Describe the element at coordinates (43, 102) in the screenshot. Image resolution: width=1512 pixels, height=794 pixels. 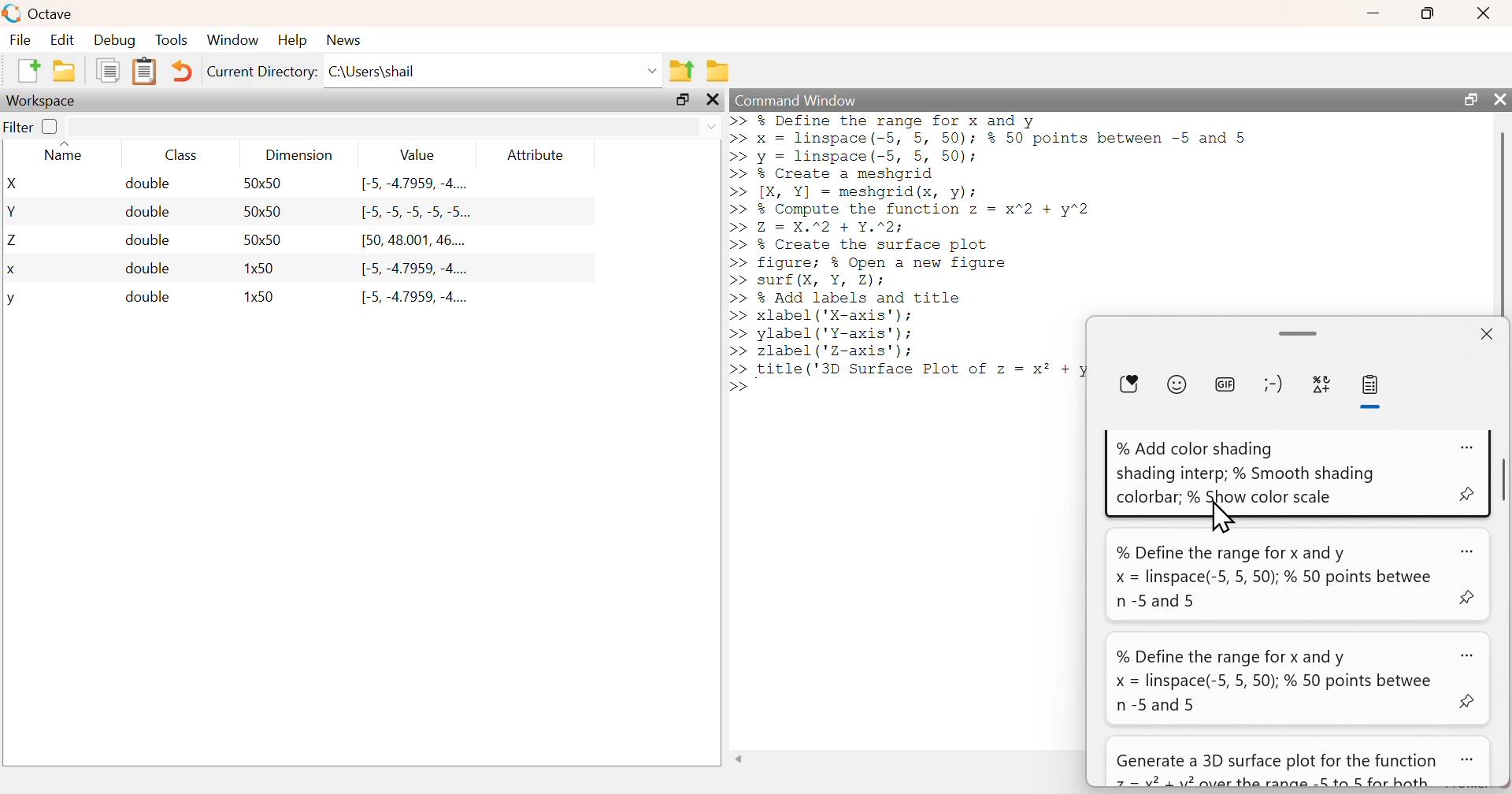
I see `Workspace` at that location.